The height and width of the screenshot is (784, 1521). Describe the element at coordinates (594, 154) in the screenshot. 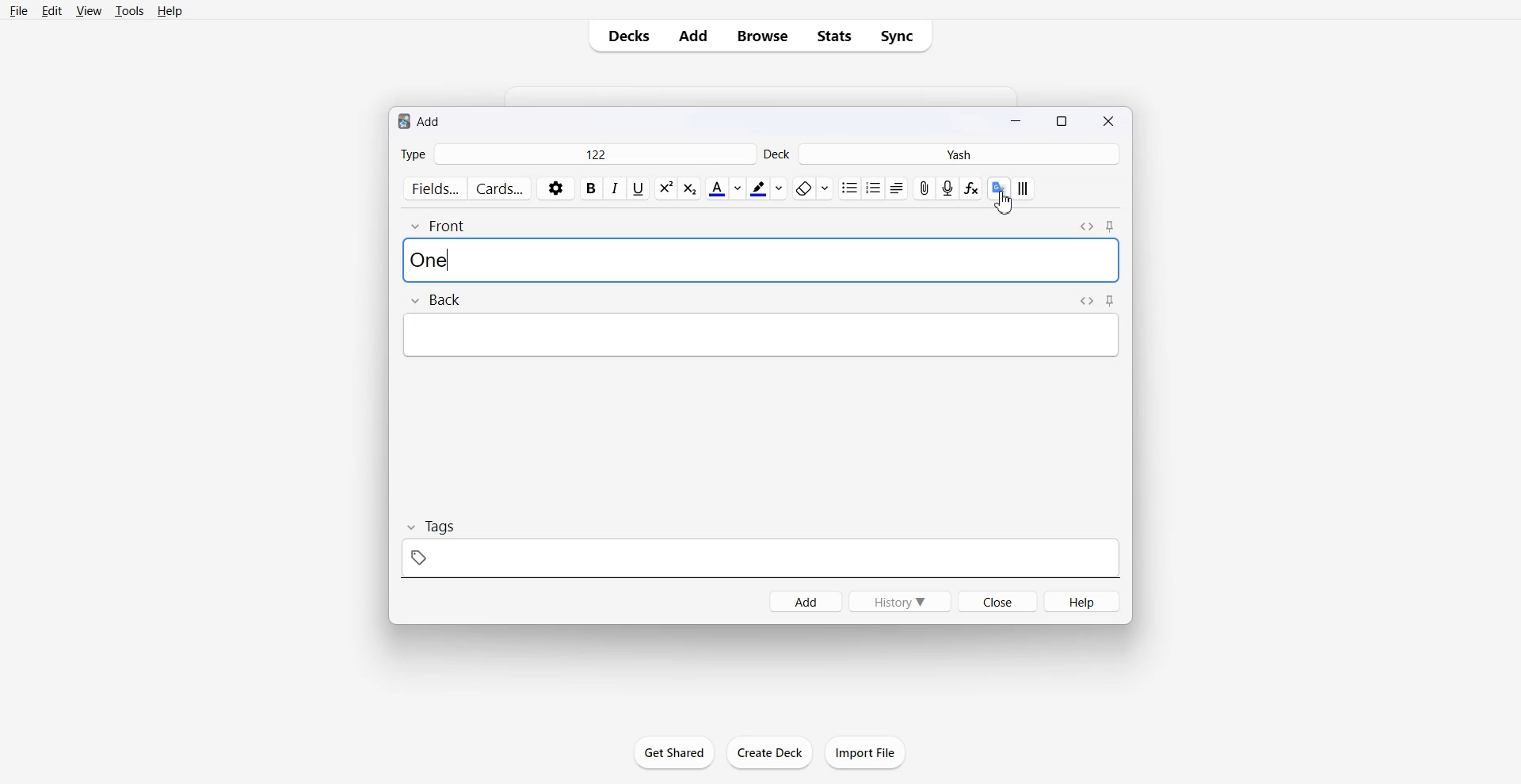

I see `122` at that location.